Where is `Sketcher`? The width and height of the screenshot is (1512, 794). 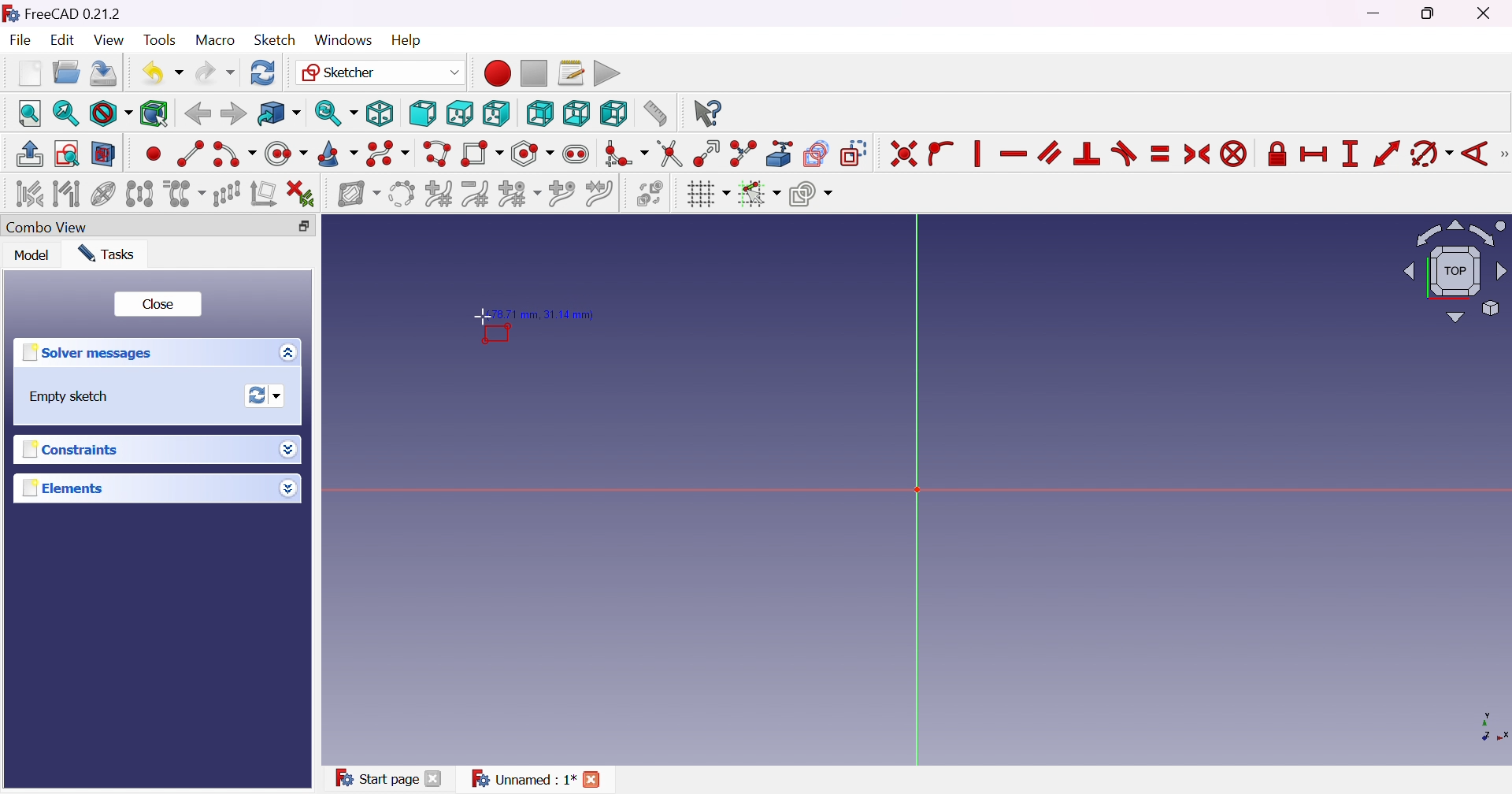
Sketcher is located at coordinates (380, 72).